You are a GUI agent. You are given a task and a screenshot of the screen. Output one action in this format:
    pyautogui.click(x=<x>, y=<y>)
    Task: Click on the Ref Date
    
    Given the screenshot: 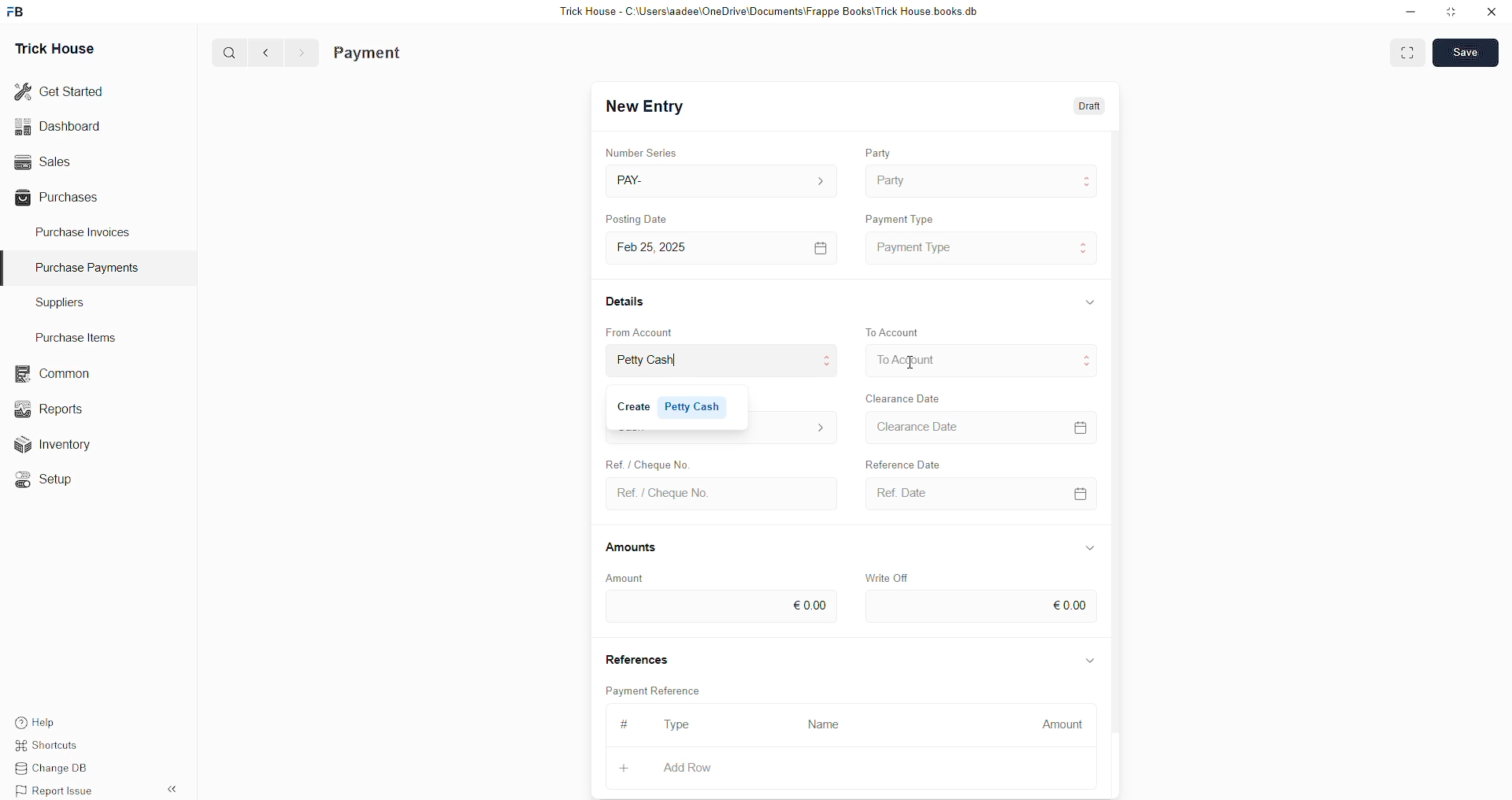 What is the action you would take?
    pyautogui.click(x=895, y=492)
    